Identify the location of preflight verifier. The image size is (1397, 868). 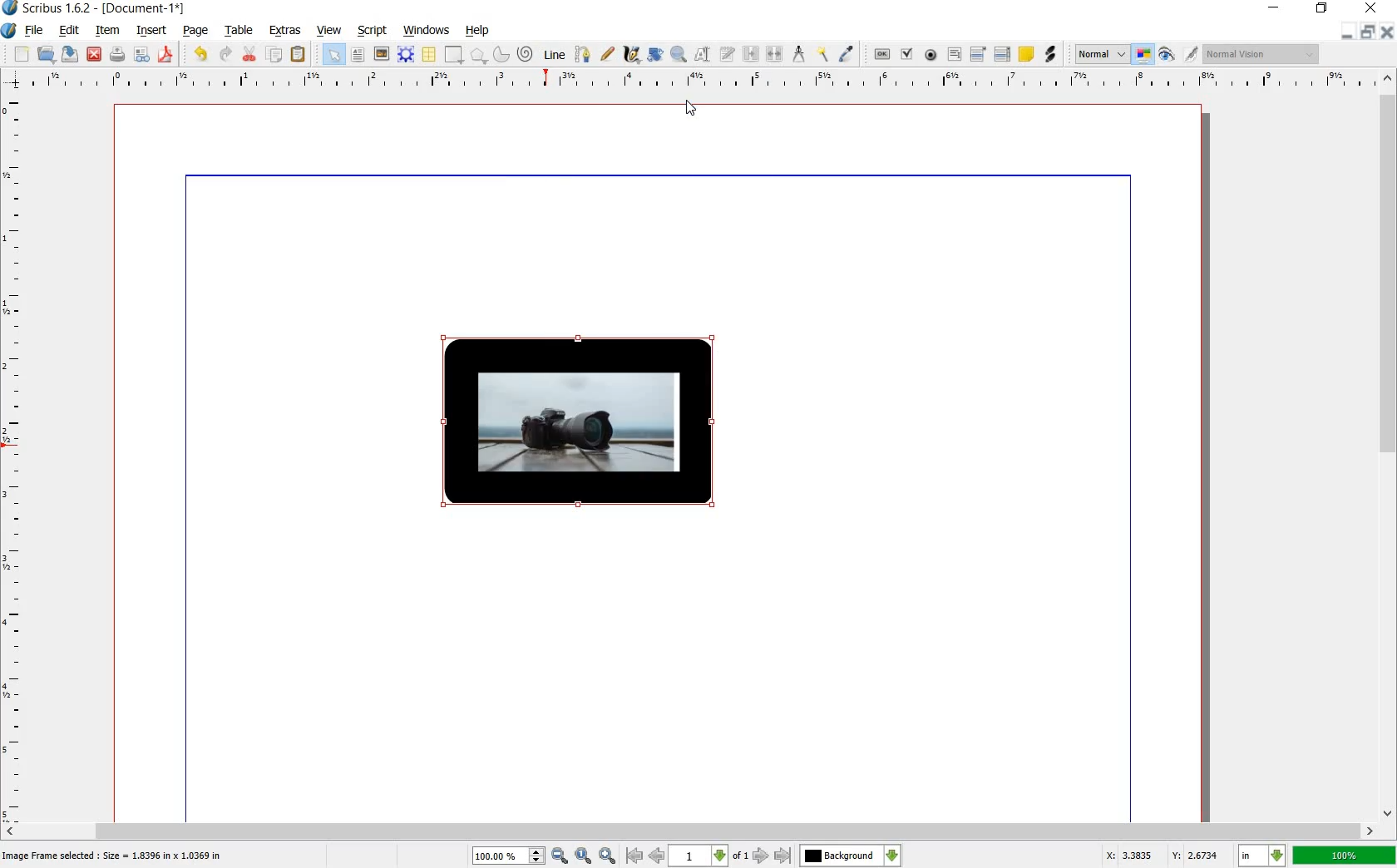
(141, 55).